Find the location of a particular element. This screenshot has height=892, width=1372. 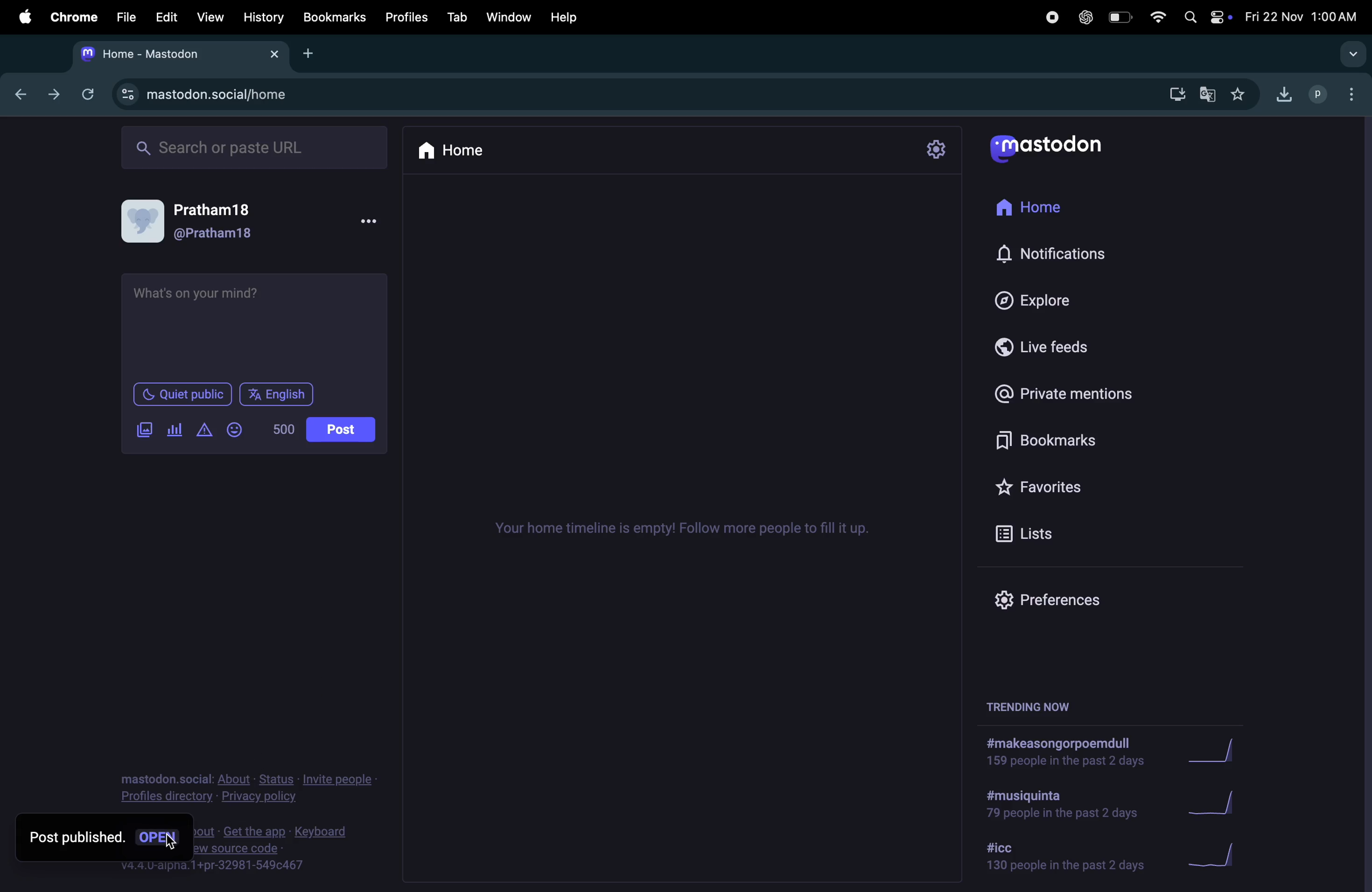

hashtags is located at coordinates (1060, 806).